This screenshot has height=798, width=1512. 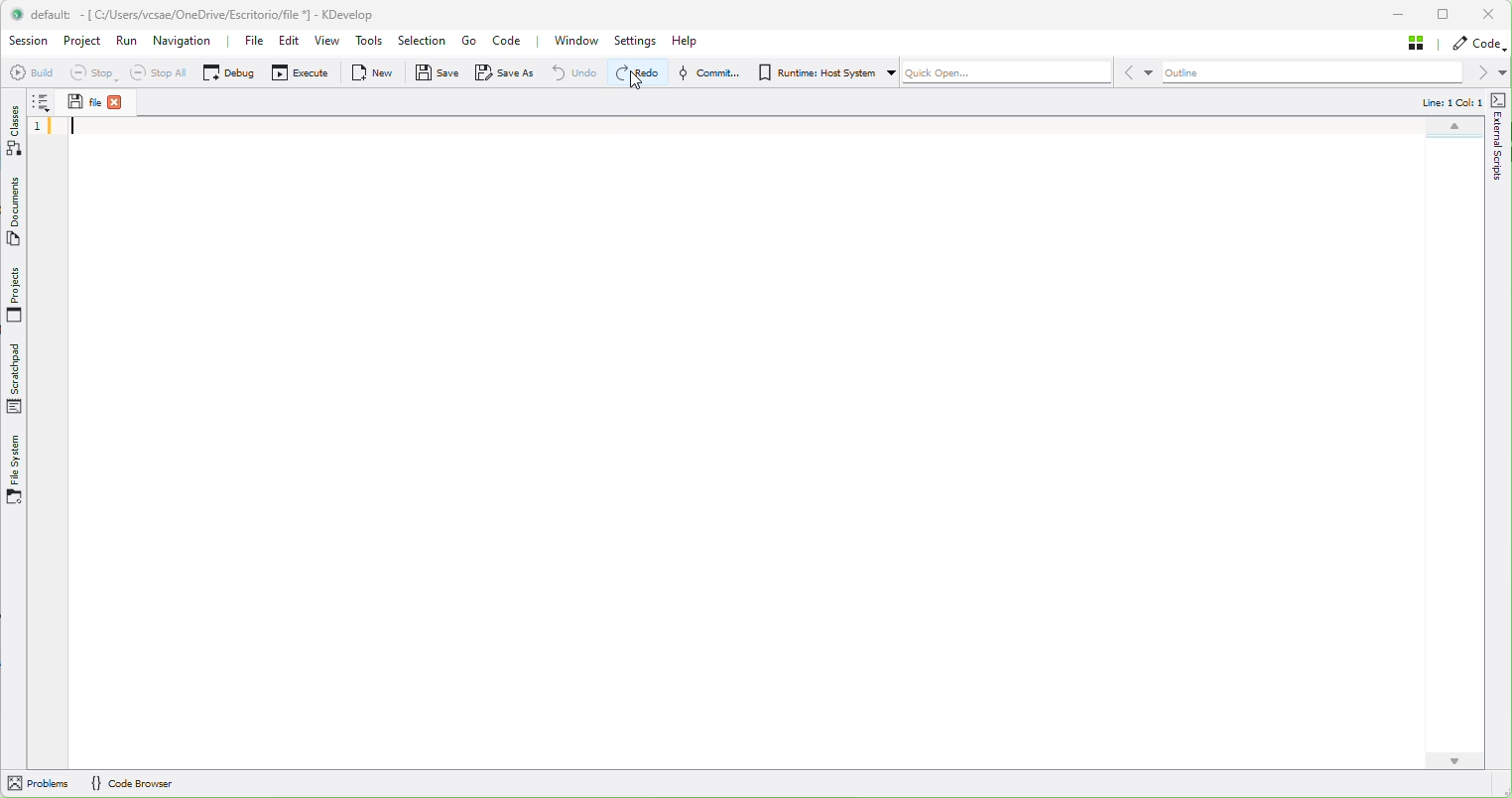 I want to click on Redo, so click(x=638, y=75).